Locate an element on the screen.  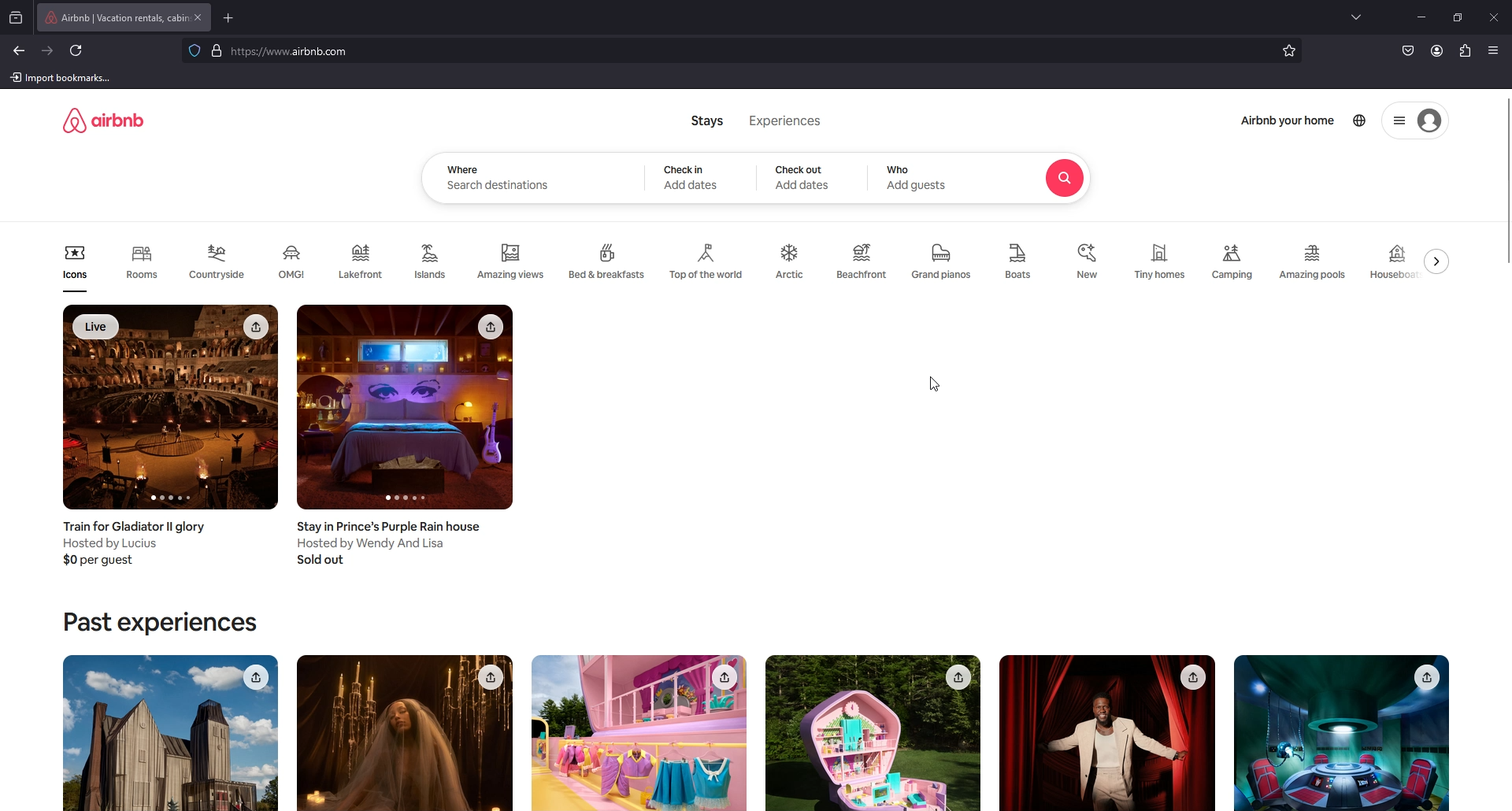
Islands is located at coordinates (434, 260).